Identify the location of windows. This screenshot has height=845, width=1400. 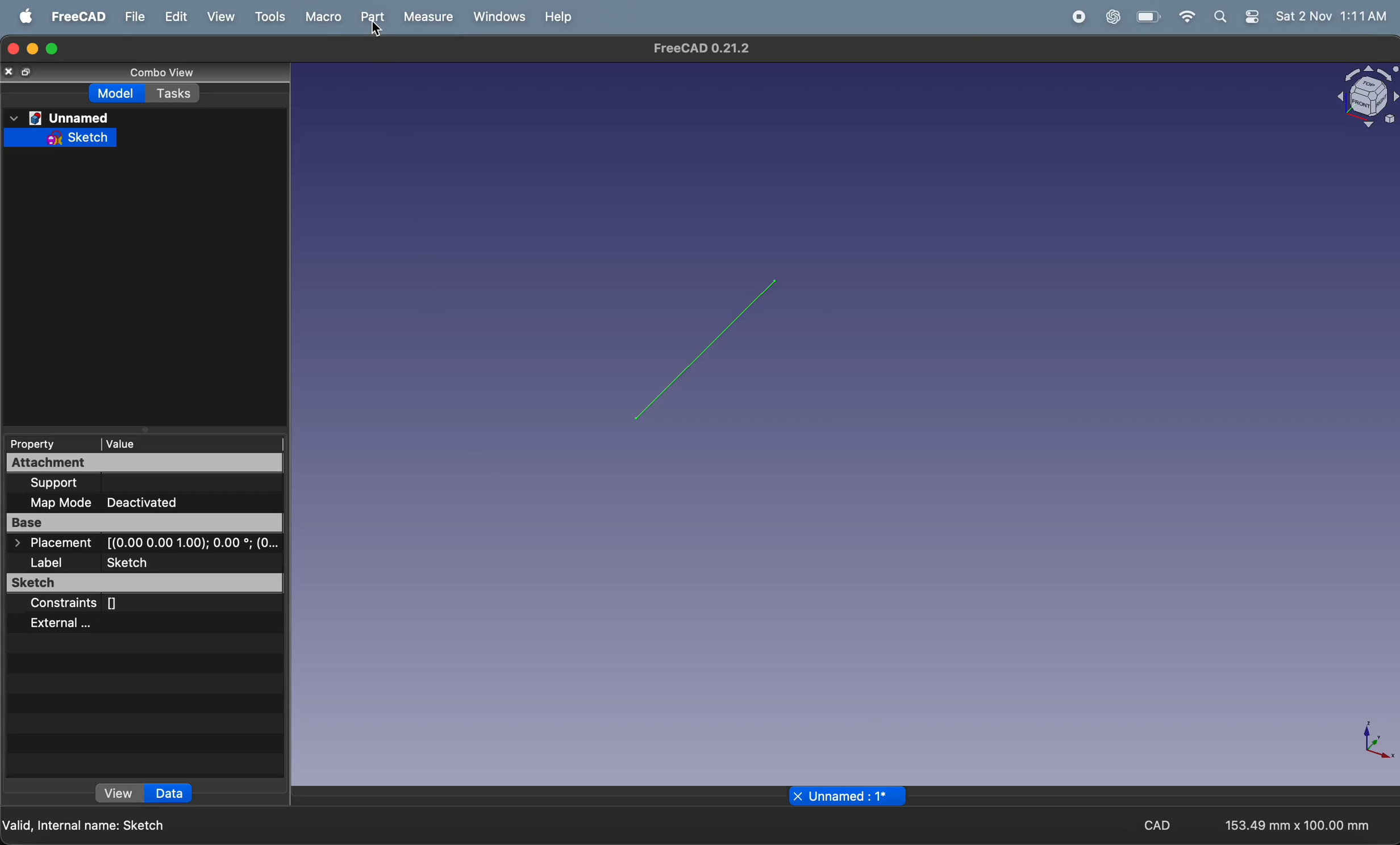
(498, 16).